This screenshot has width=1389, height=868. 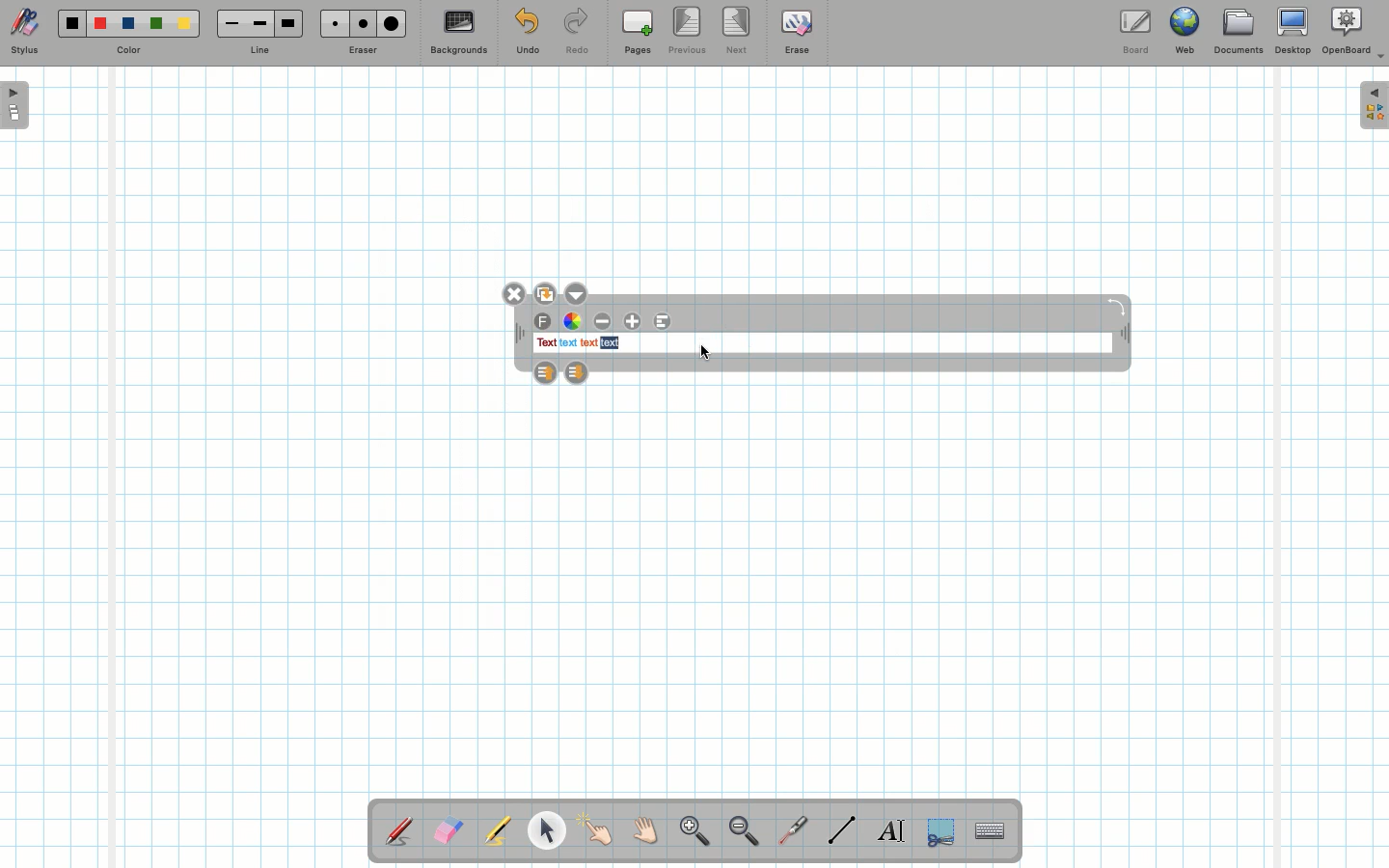 What do you see at coordinates (360, 23) in the screenshot?
I see `Medium eraser` at bounding box center [360, 23].